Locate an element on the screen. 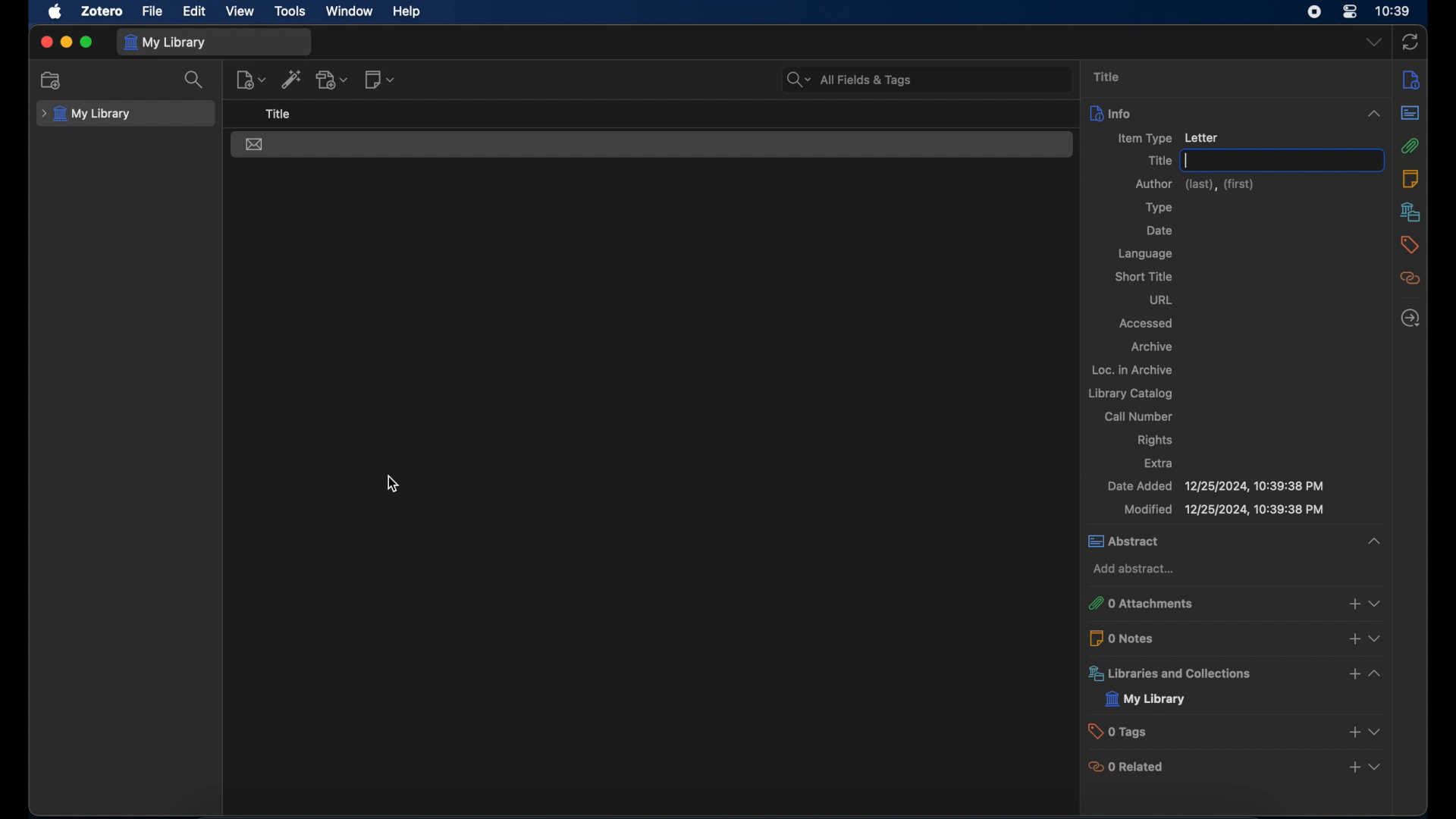  search bar is located at coordinates (851, 80).